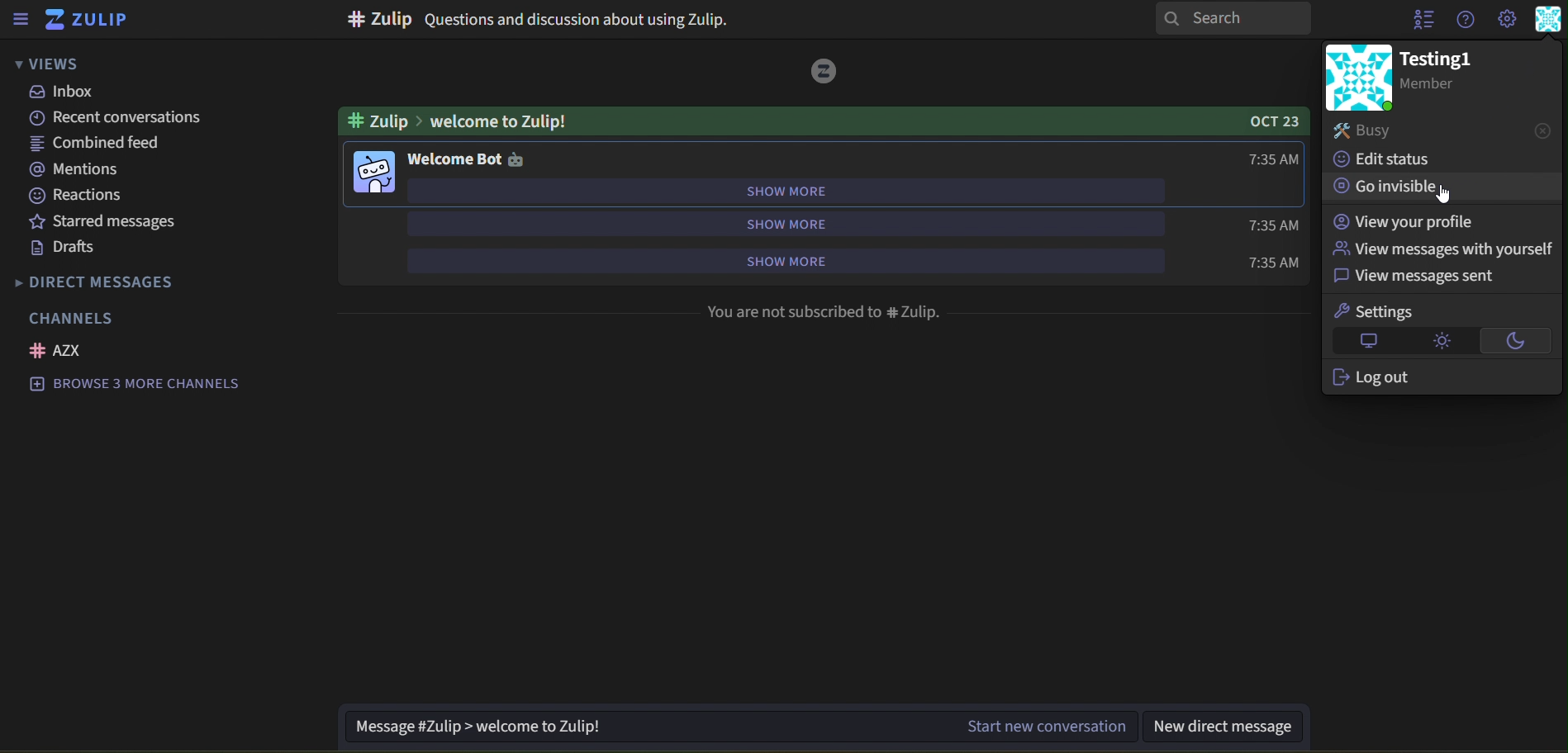 The image size is (1568, 753). What do you see at coordinates (80, 318) in the screenshot?
I see `channels` at bounding box center [80, 318].